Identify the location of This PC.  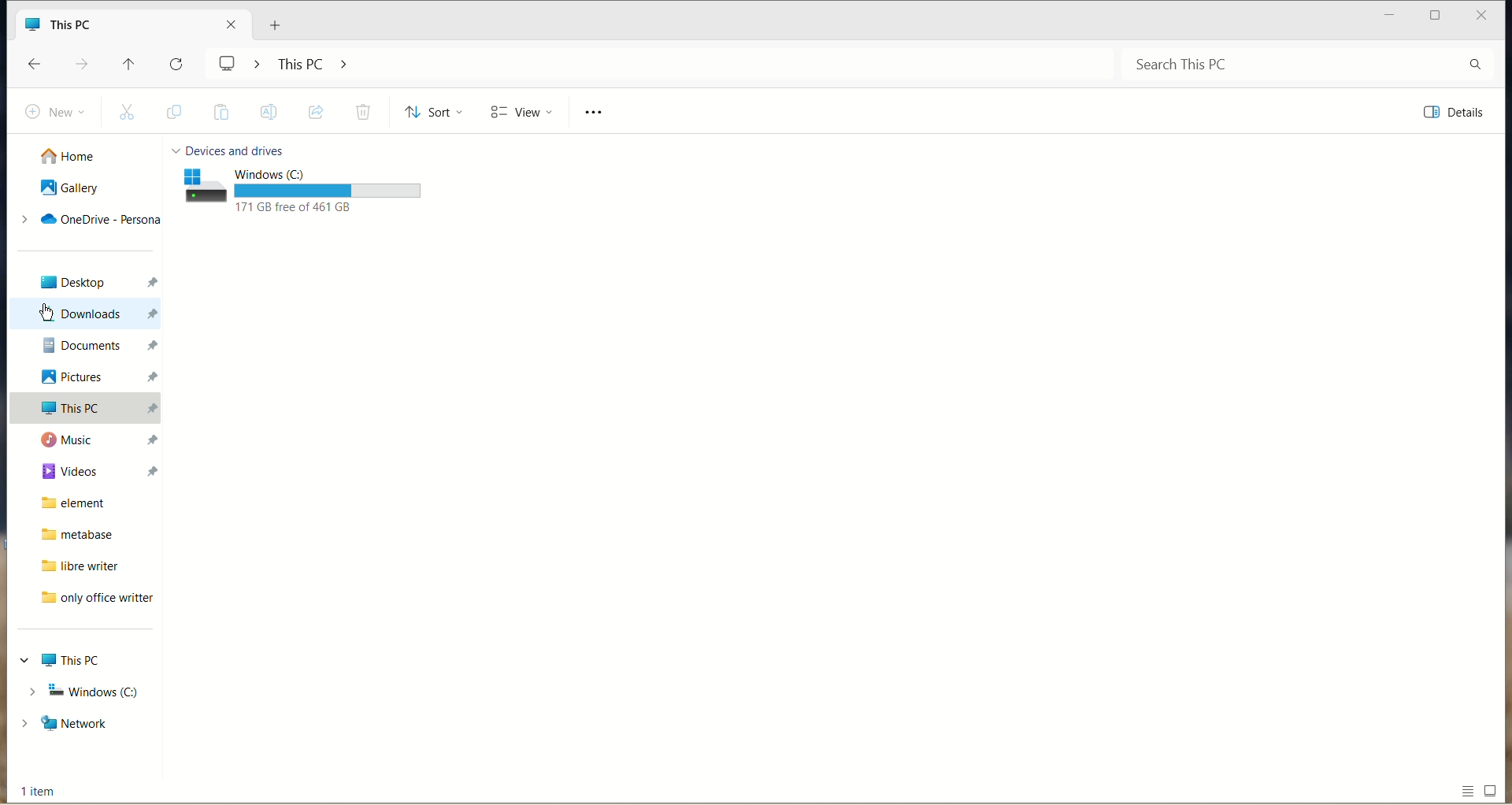
(70, 661).